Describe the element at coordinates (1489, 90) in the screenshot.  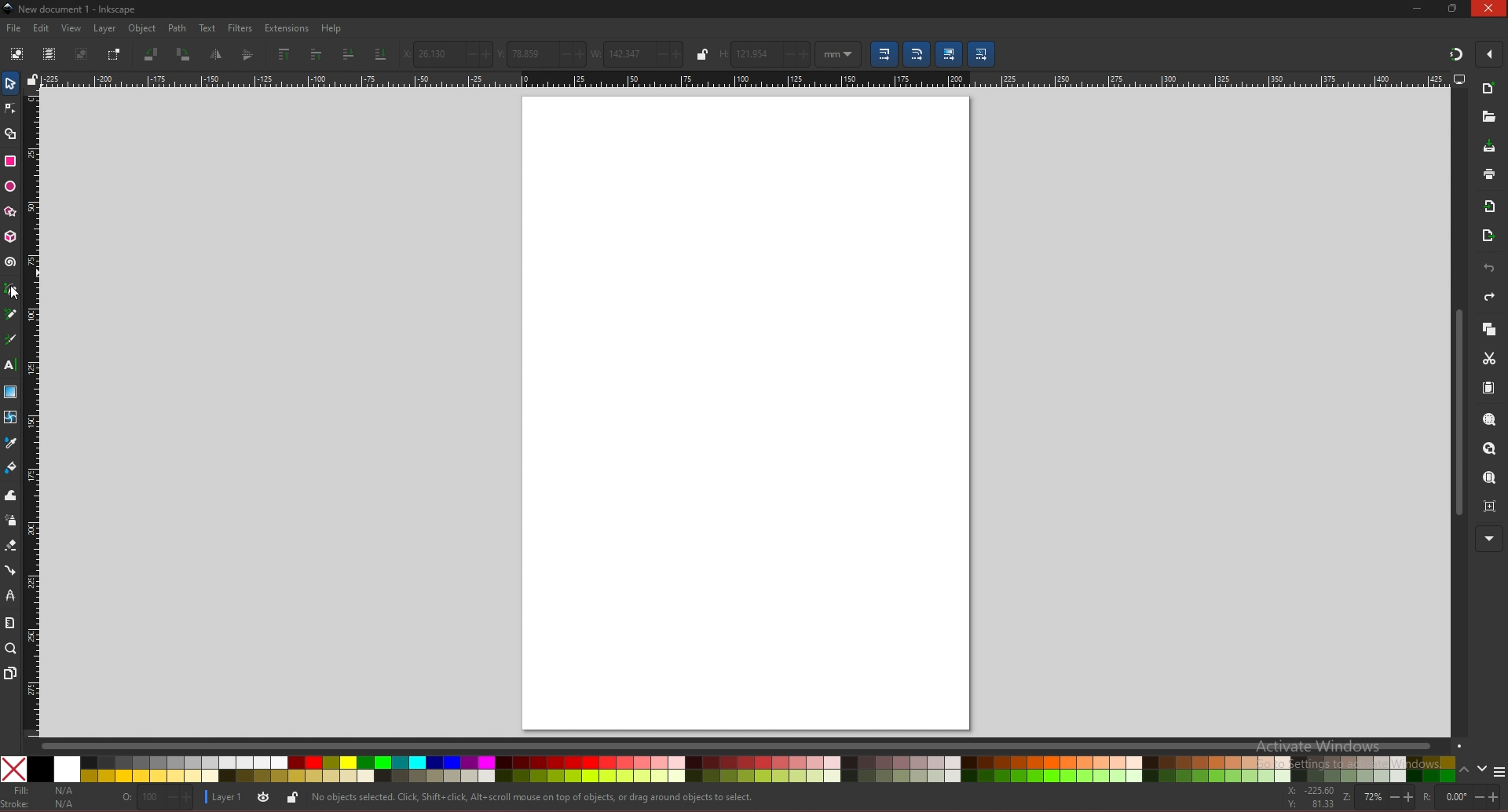
I see `new` at that location.